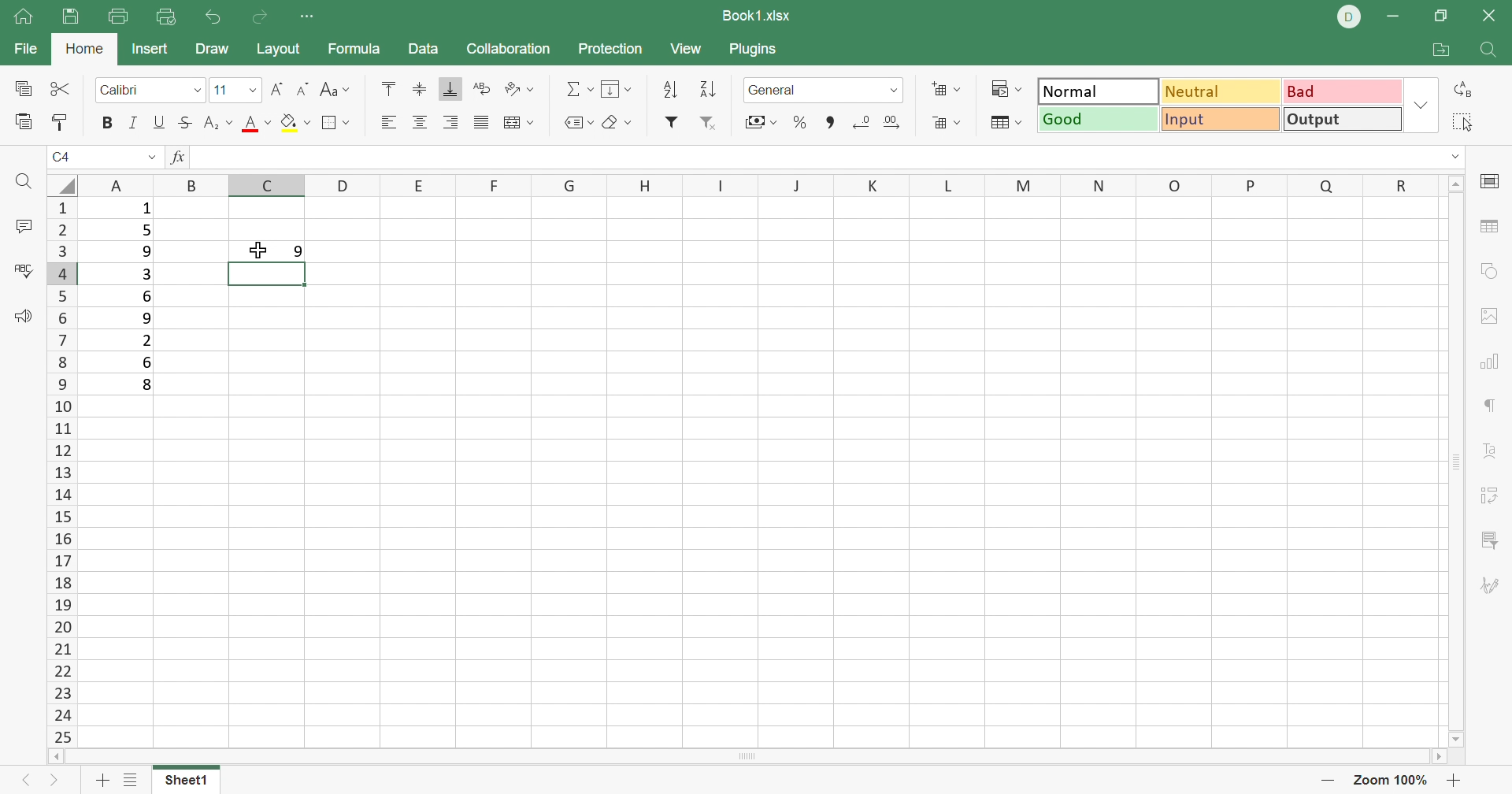 The width and height of the screenshot is (1512, 794). Describe the element at coordinates (148, 362) in the screenshot. I see `6` at that location.